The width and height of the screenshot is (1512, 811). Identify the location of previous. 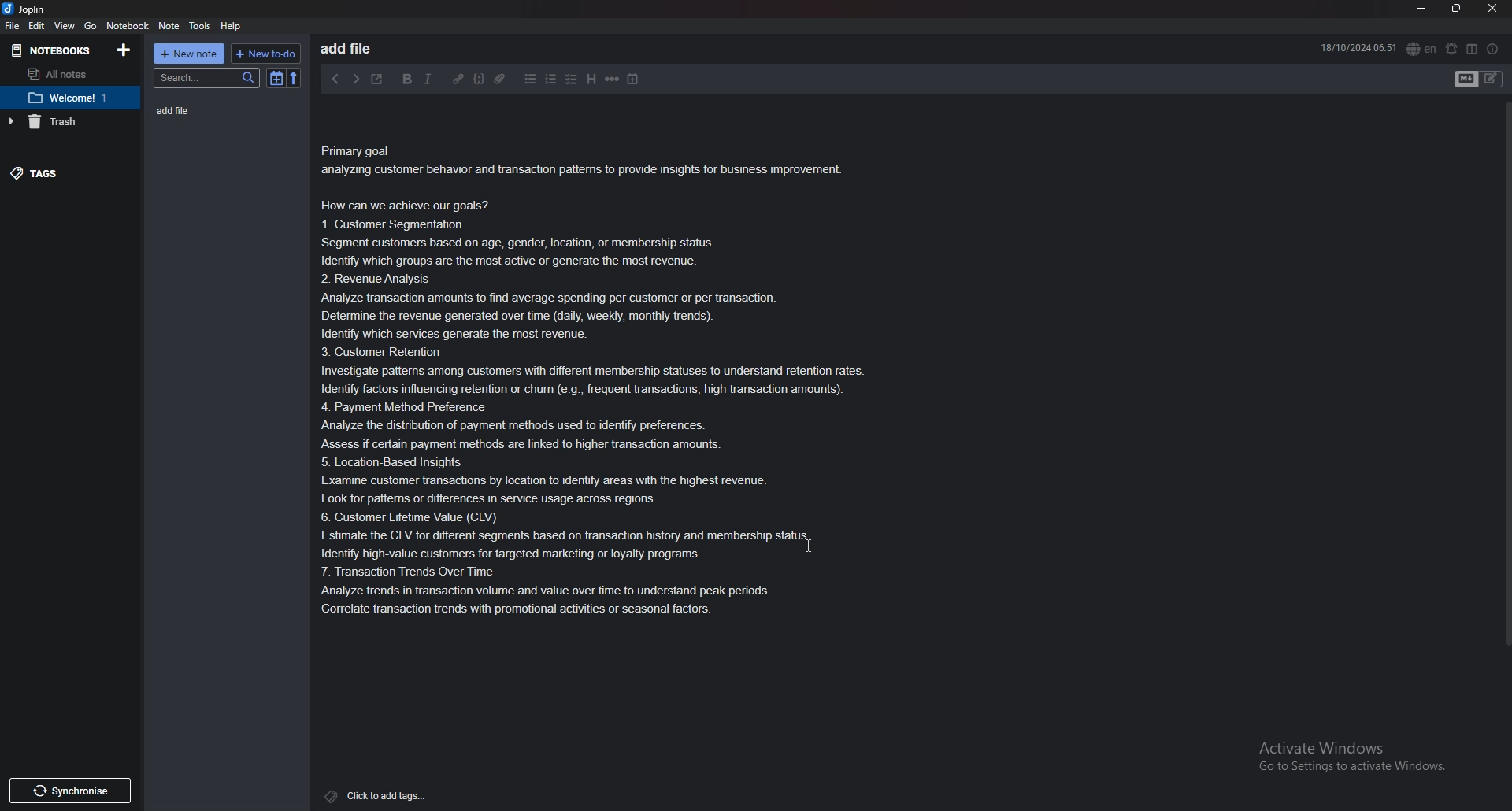
(335, 79).